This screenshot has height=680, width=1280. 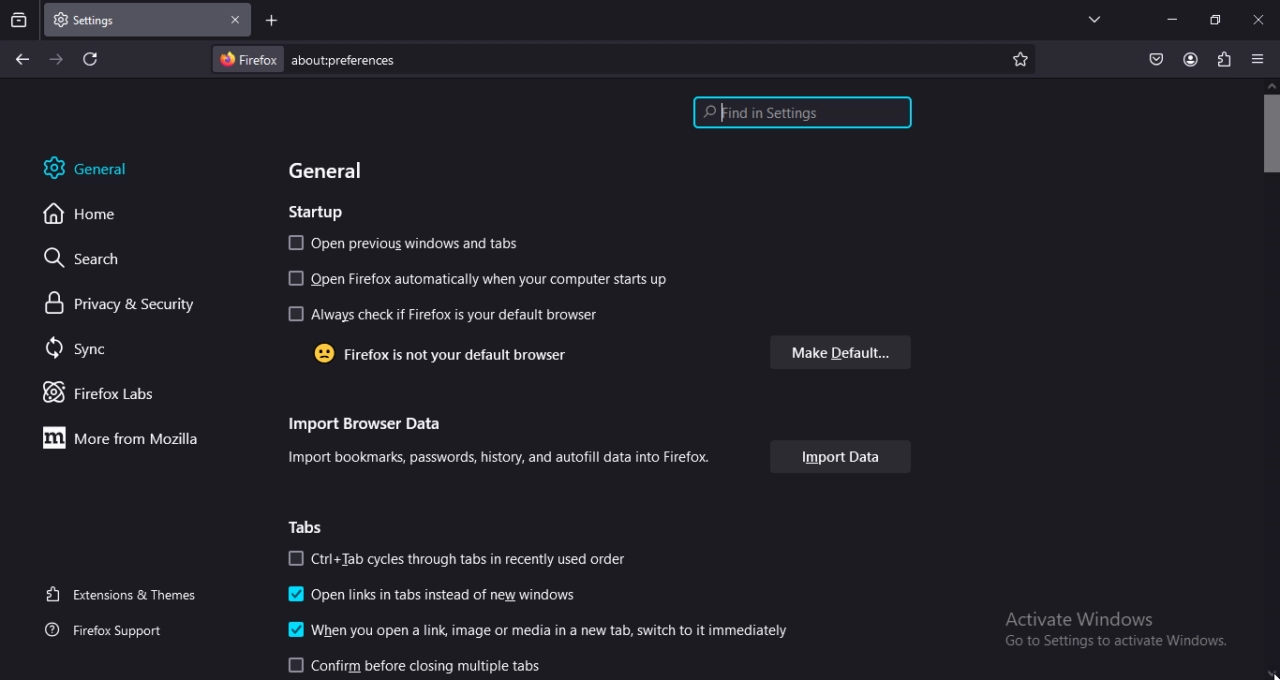 I want to click on privacy& security, so click(x=109, y=303).